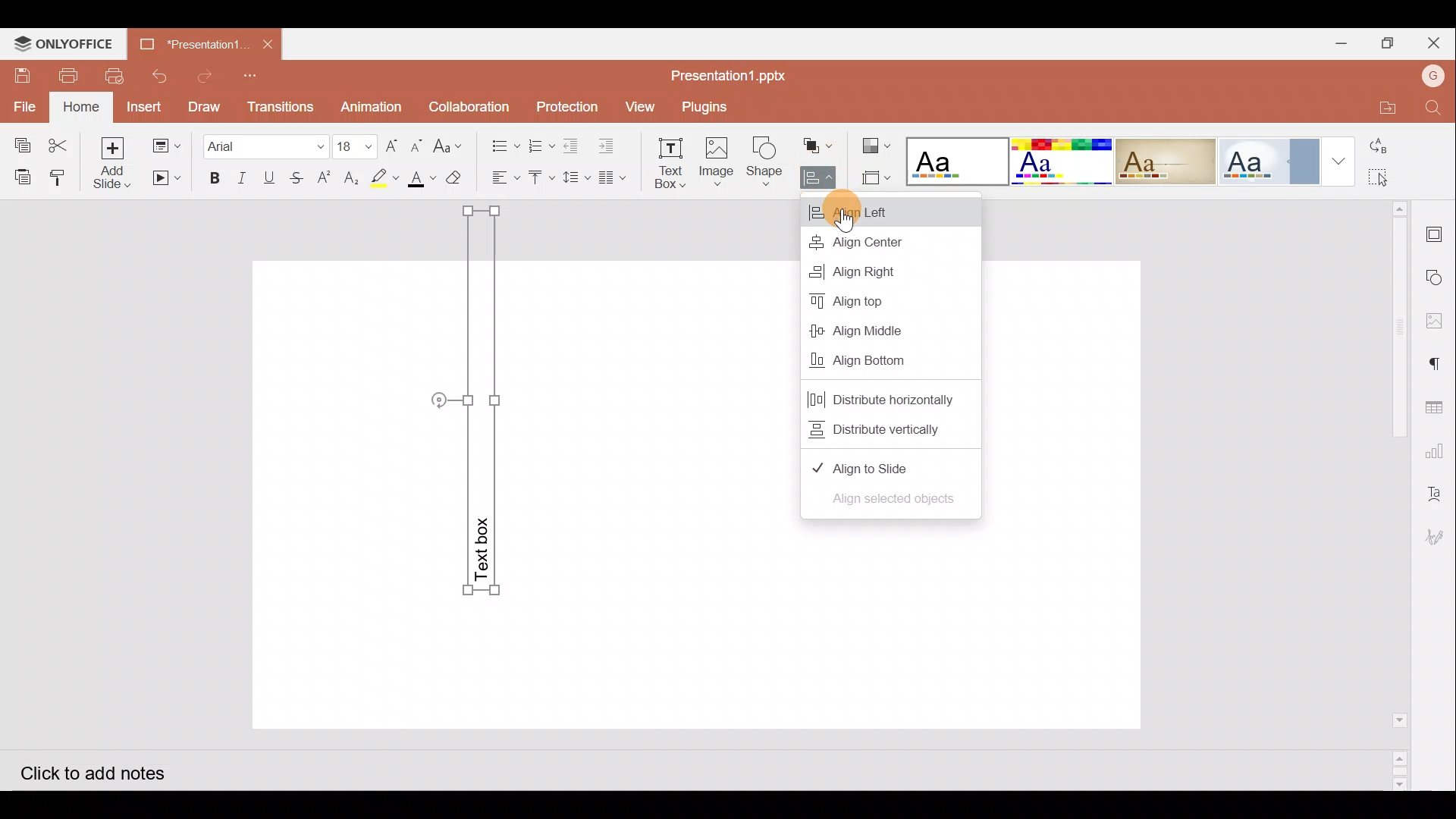 This screenshot has width=1456, height=819. Describe the element at coordinates (877, 333) in the screenshot. I see `Align middle` at that location.